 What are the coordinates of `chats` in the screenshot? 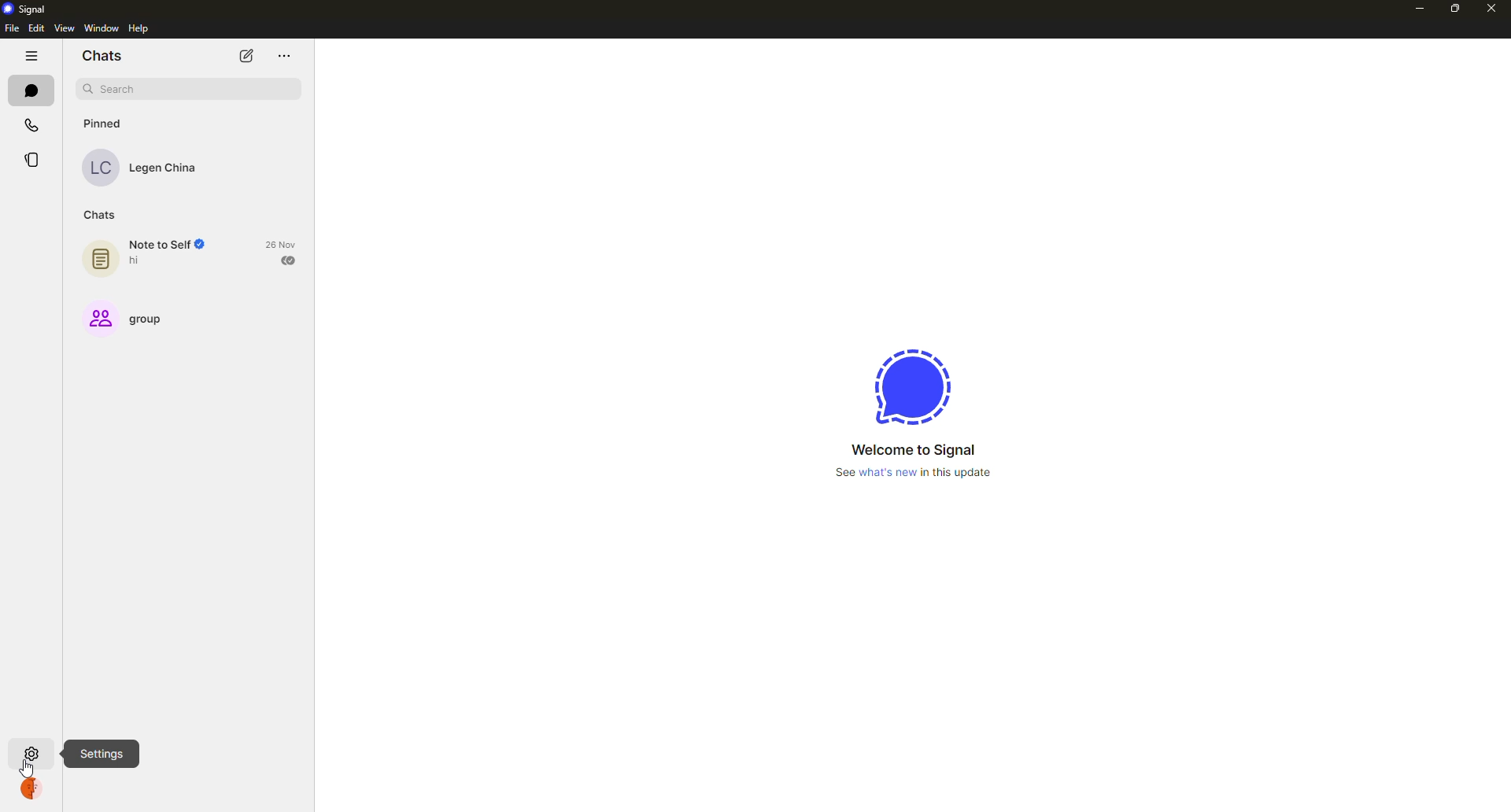 It's located at (104, 57).